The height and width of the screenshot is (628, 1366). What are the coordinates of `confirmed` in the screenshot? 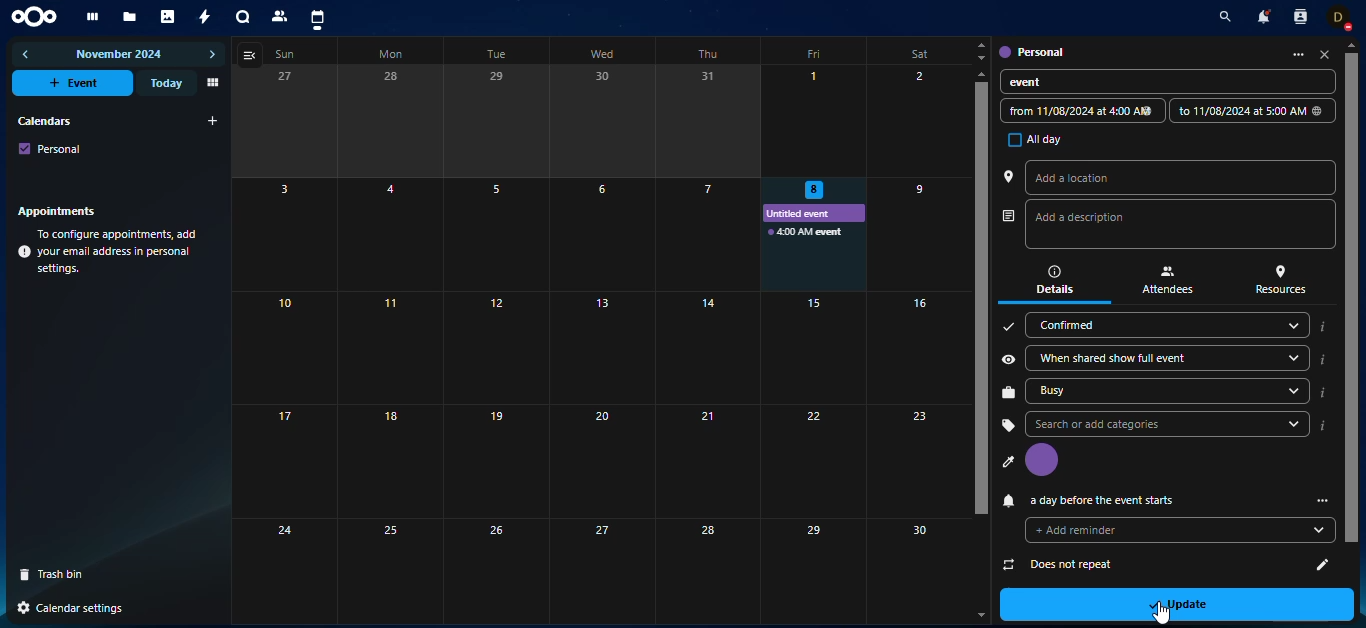 It's located at (1089, 323).